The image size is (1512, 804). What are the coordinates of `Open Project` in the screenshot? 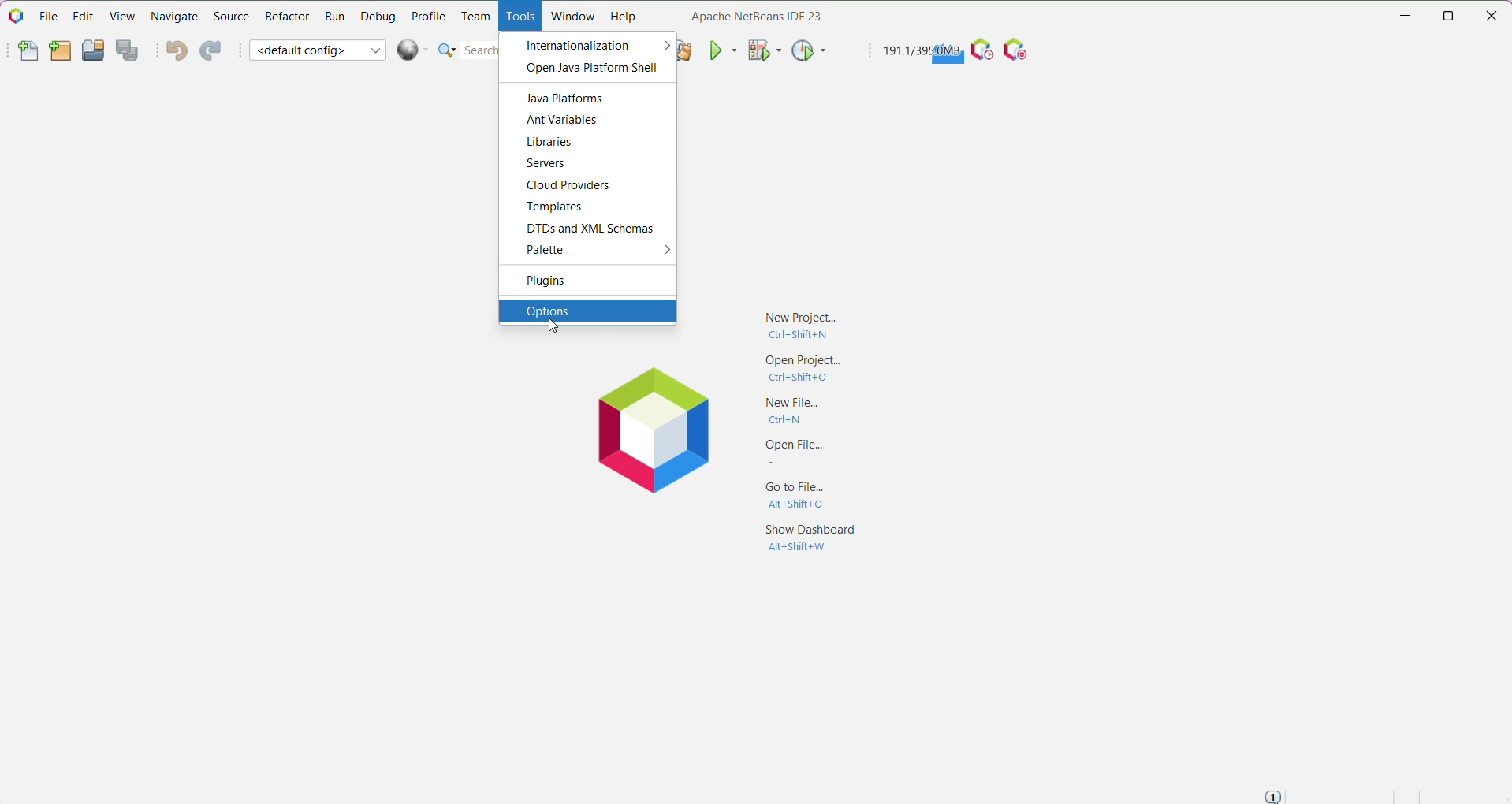 It's located at (796, 368).